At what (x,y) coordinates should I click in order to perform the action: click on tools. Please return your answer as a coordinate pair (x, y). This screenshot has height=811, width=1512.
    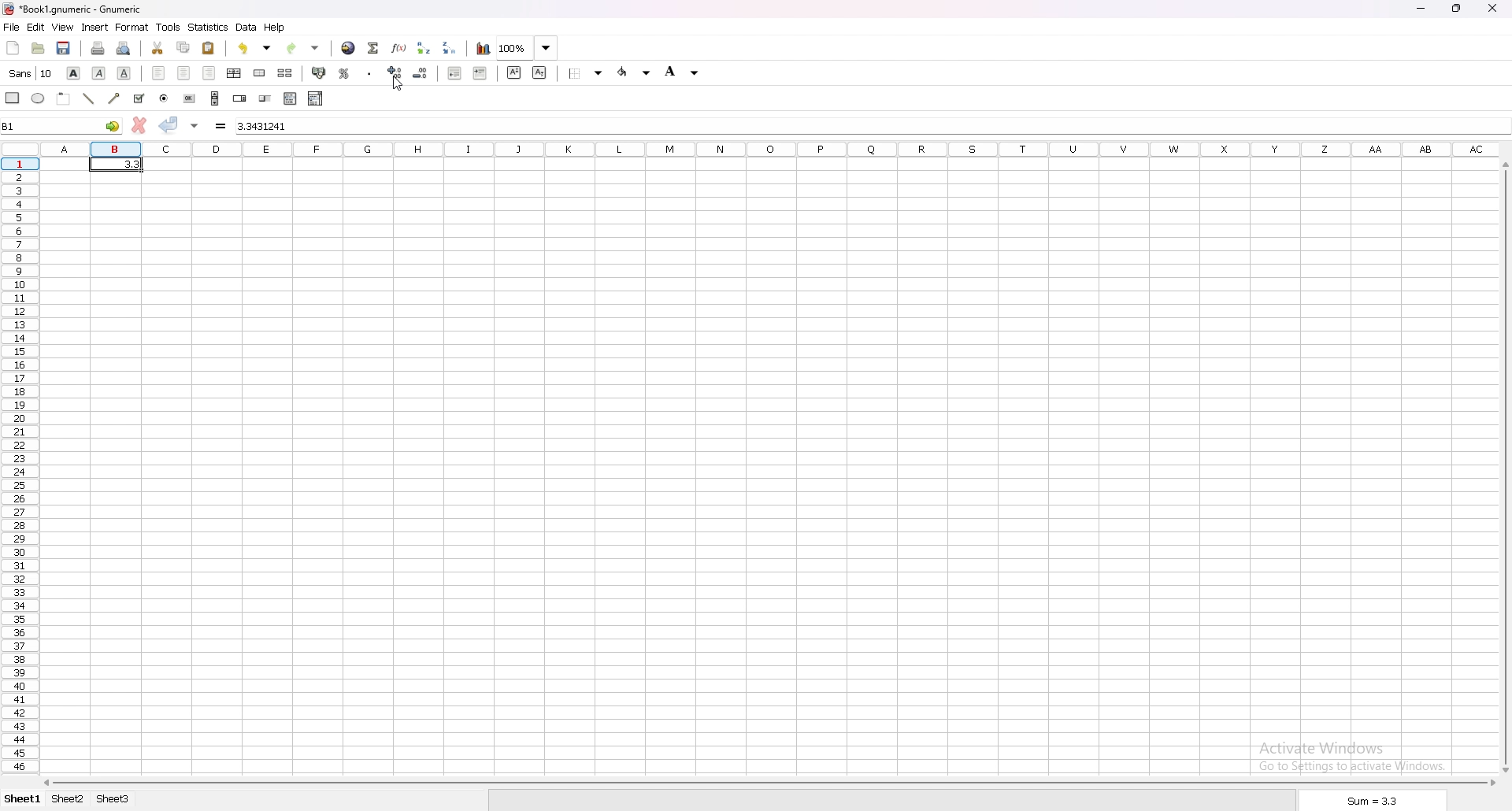
    Looking at the image, I should click on (169, 27).